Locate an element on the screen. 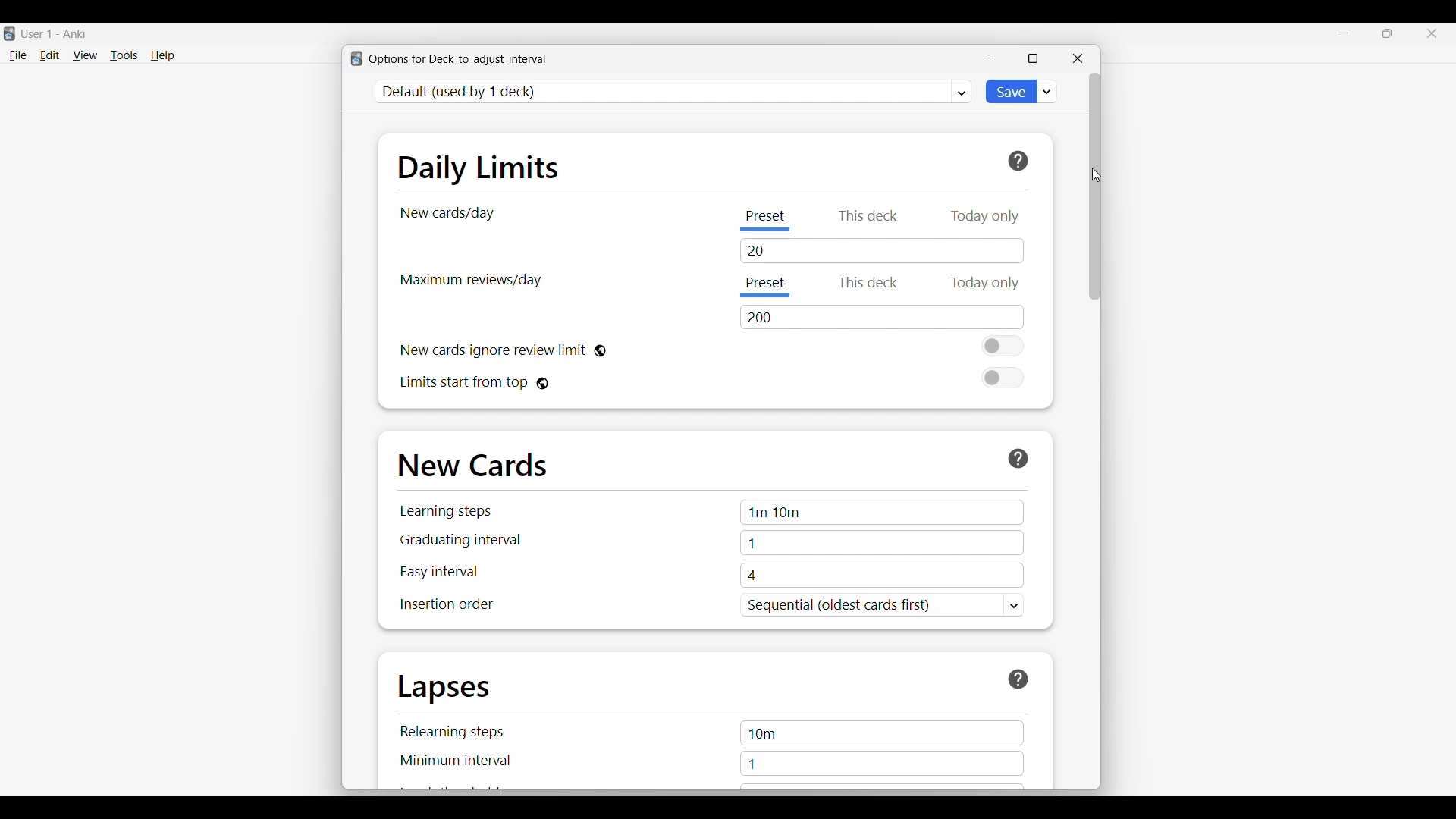 The image size is (1456, 819). Minimize is located at coordinates (1344, 33).